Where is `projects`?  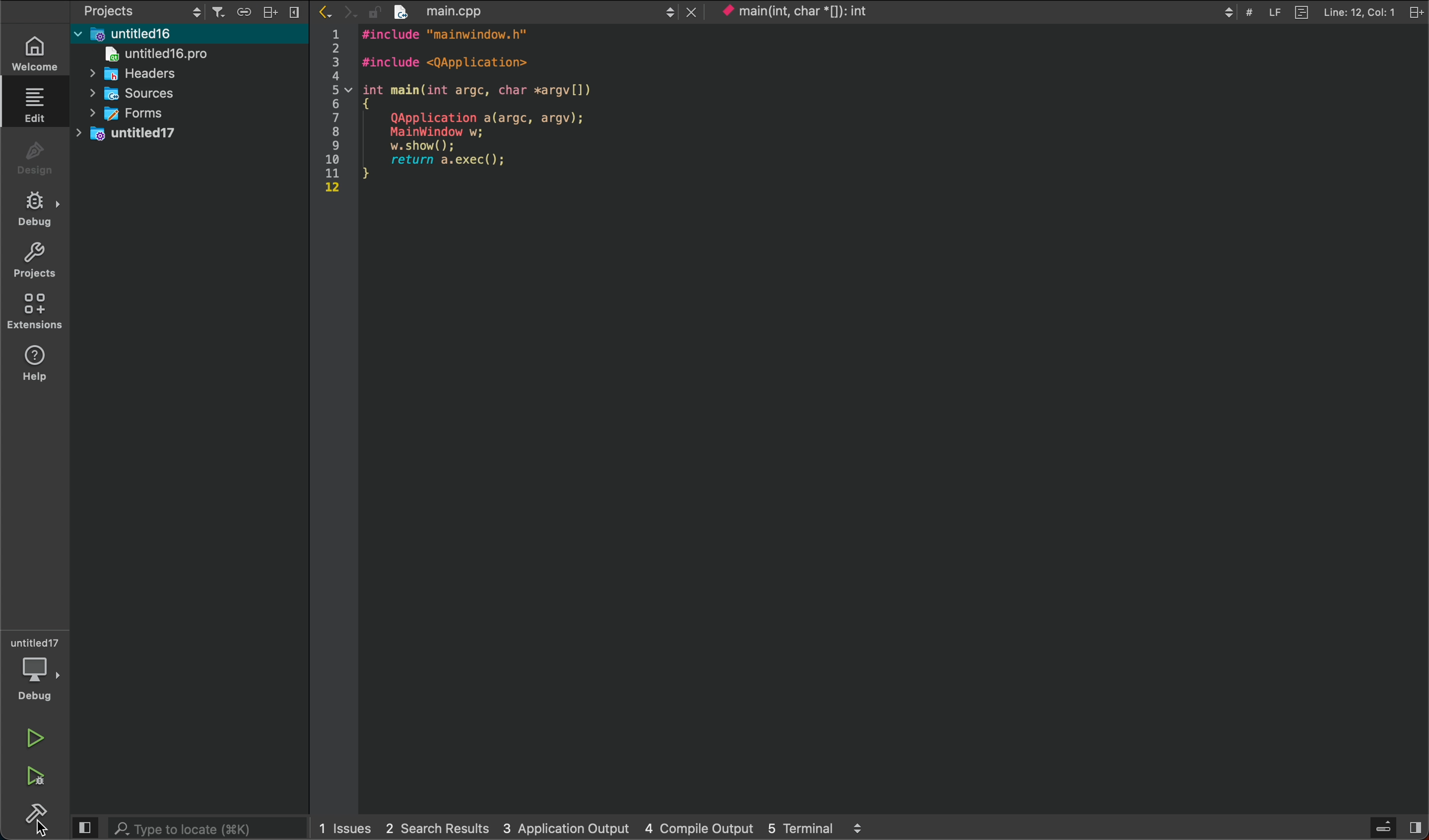 projects is located at coordinates (129, 10).